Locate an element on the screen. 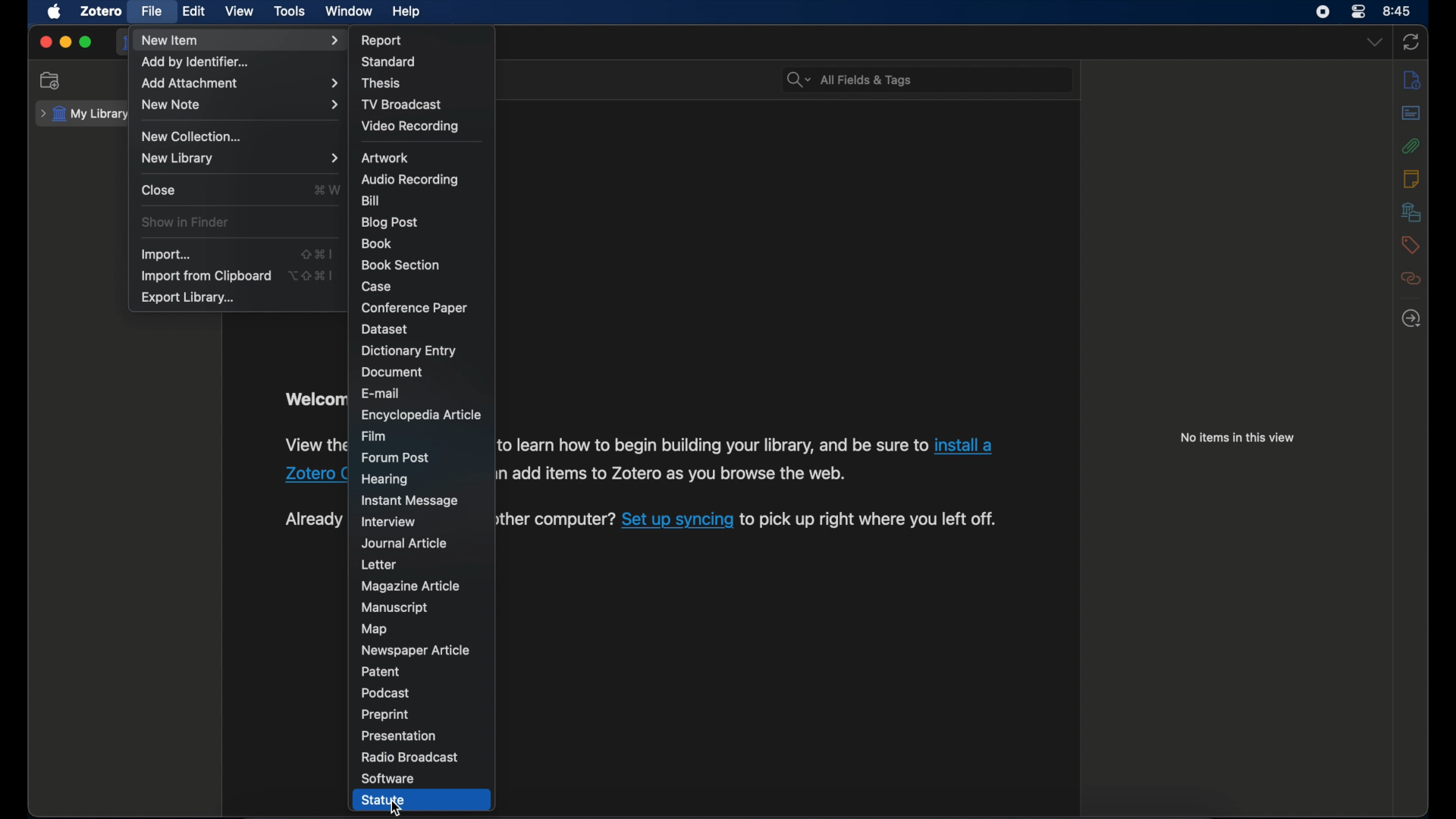  bill is located at coordinates (370, 199).